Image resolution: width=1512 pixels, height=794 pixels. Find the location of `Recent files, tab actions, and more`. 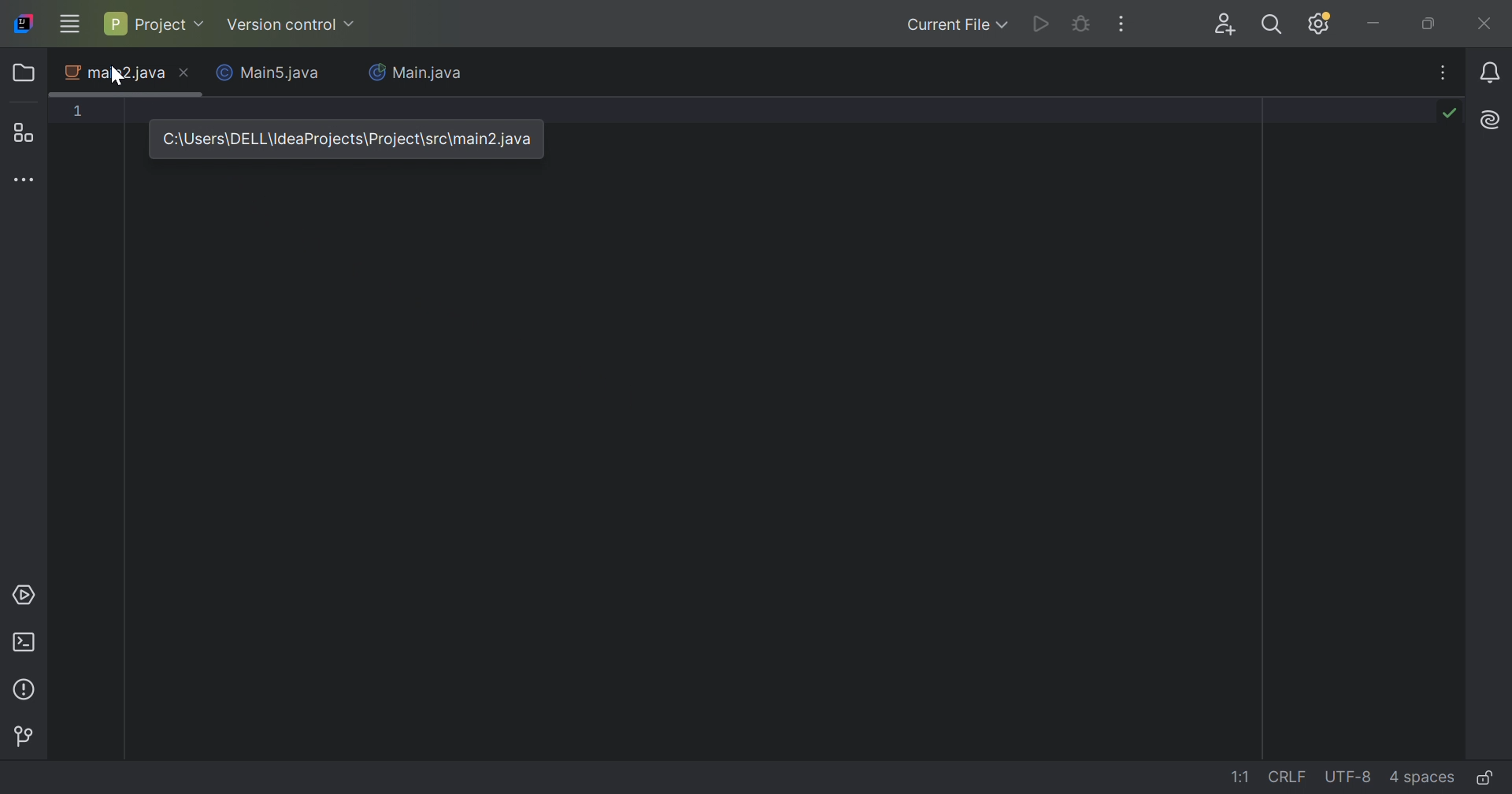

Recent files, tab actions, and more is located at coordinates (1445, 72).